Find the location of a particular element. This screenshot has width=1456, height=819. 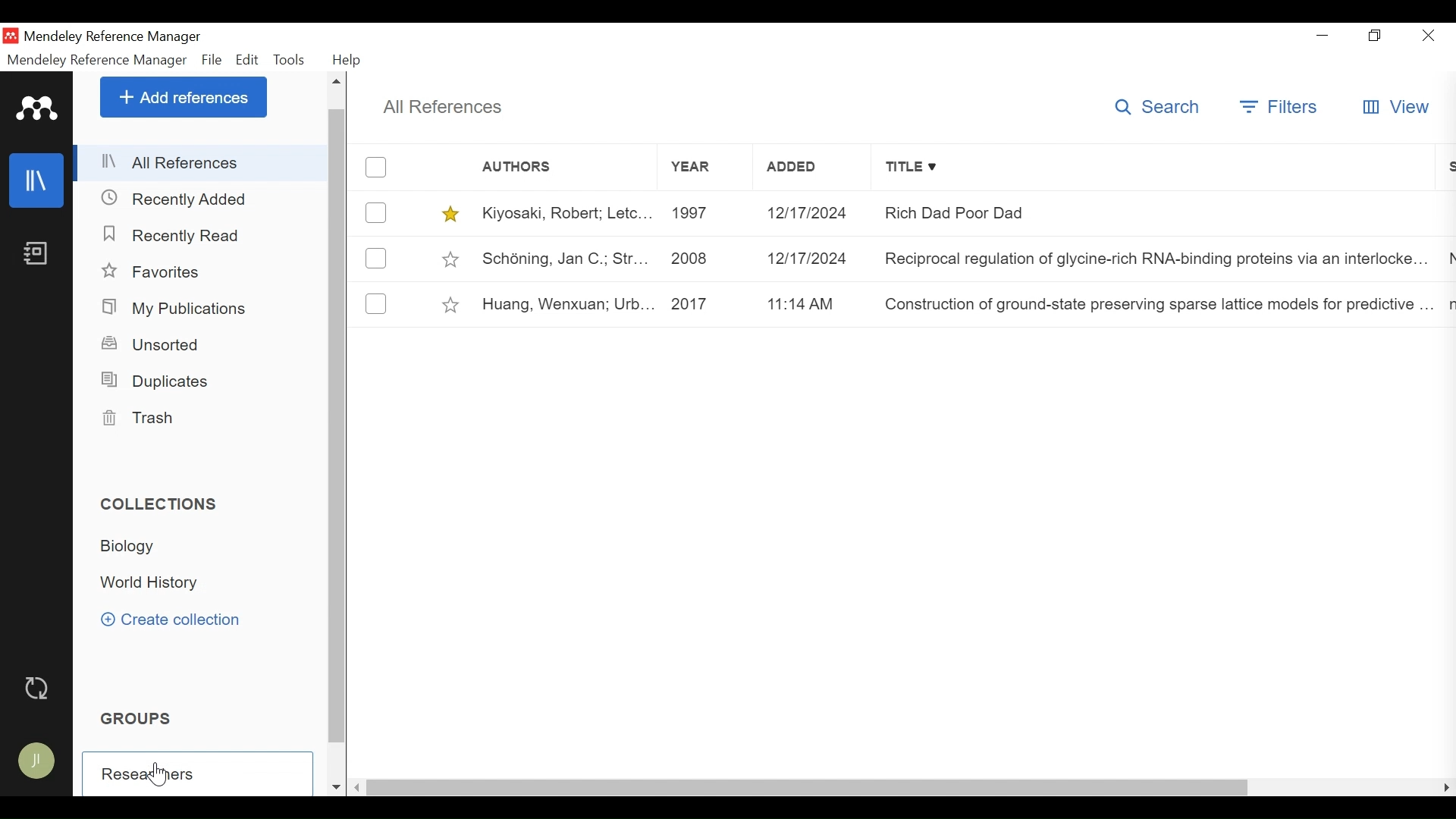

Mendeley Desktop Icon is located at coordinates (11, 36).